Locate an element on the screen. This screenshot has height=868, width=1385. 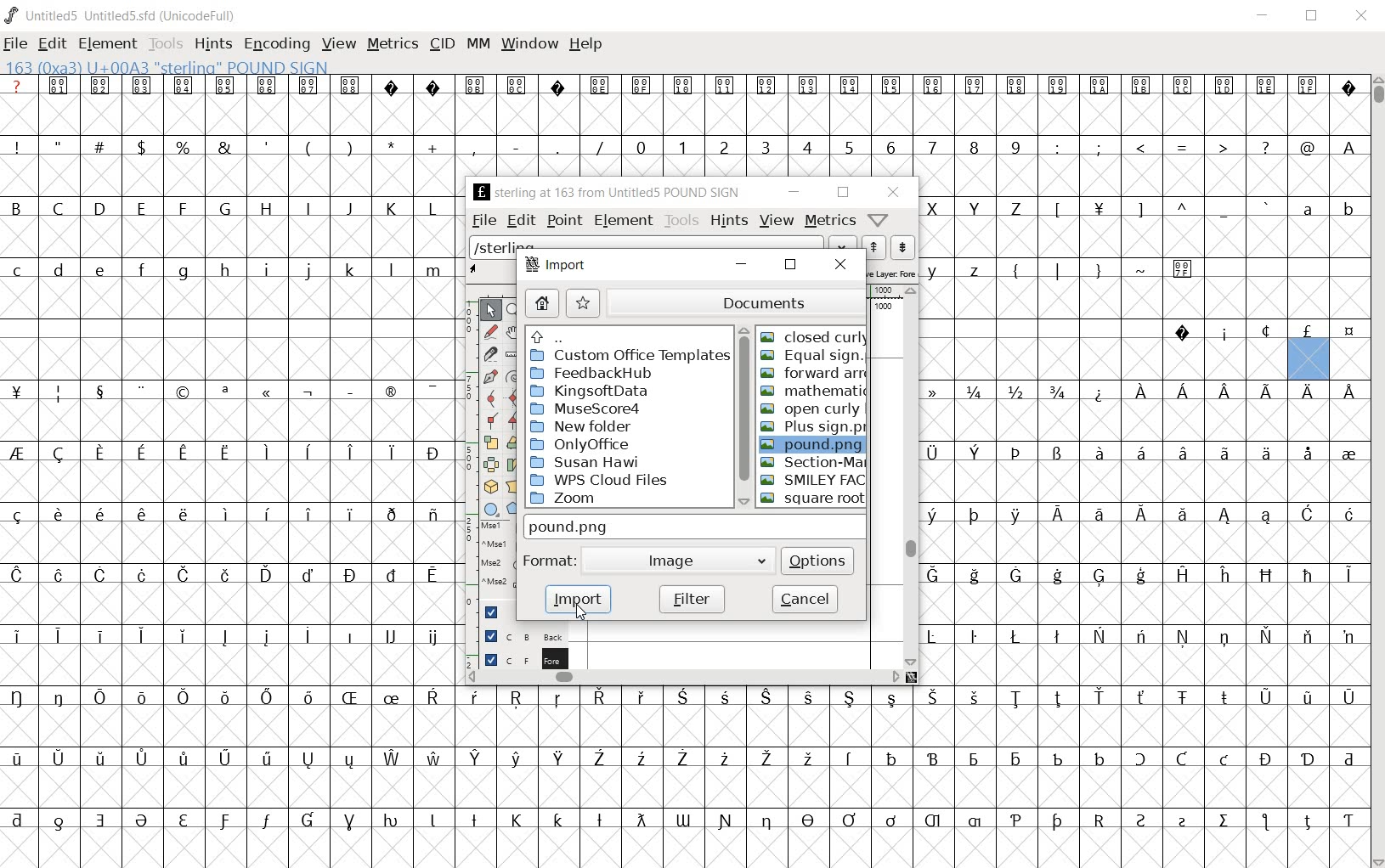
Symbol is located at coordinates (61, 85).